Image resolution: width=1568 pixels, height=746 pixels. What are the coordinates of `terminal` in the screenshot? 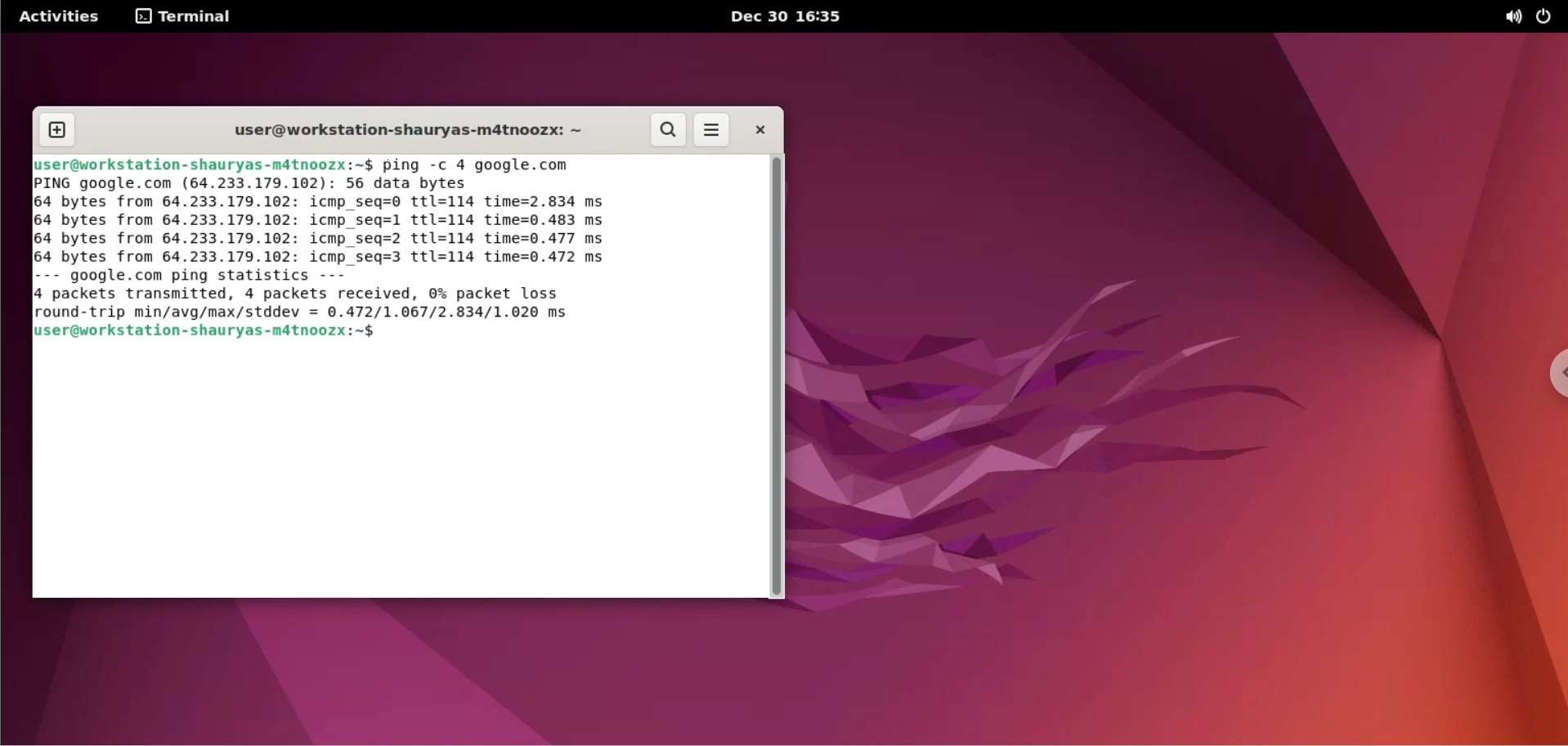 It's located at (184, 16).